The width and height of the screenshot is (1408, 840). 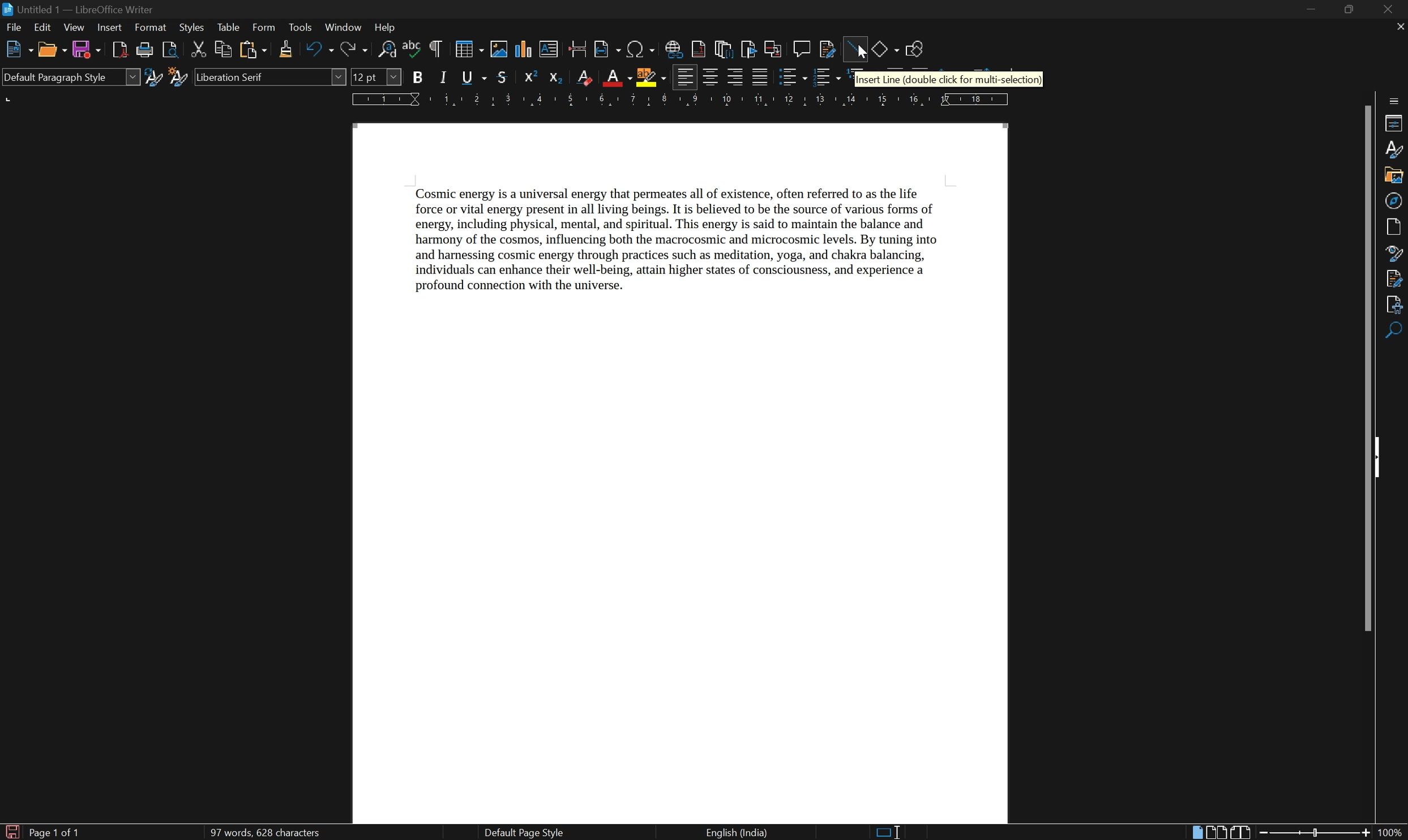 I want to click on toggle print preview, so click(x=168, y=49).